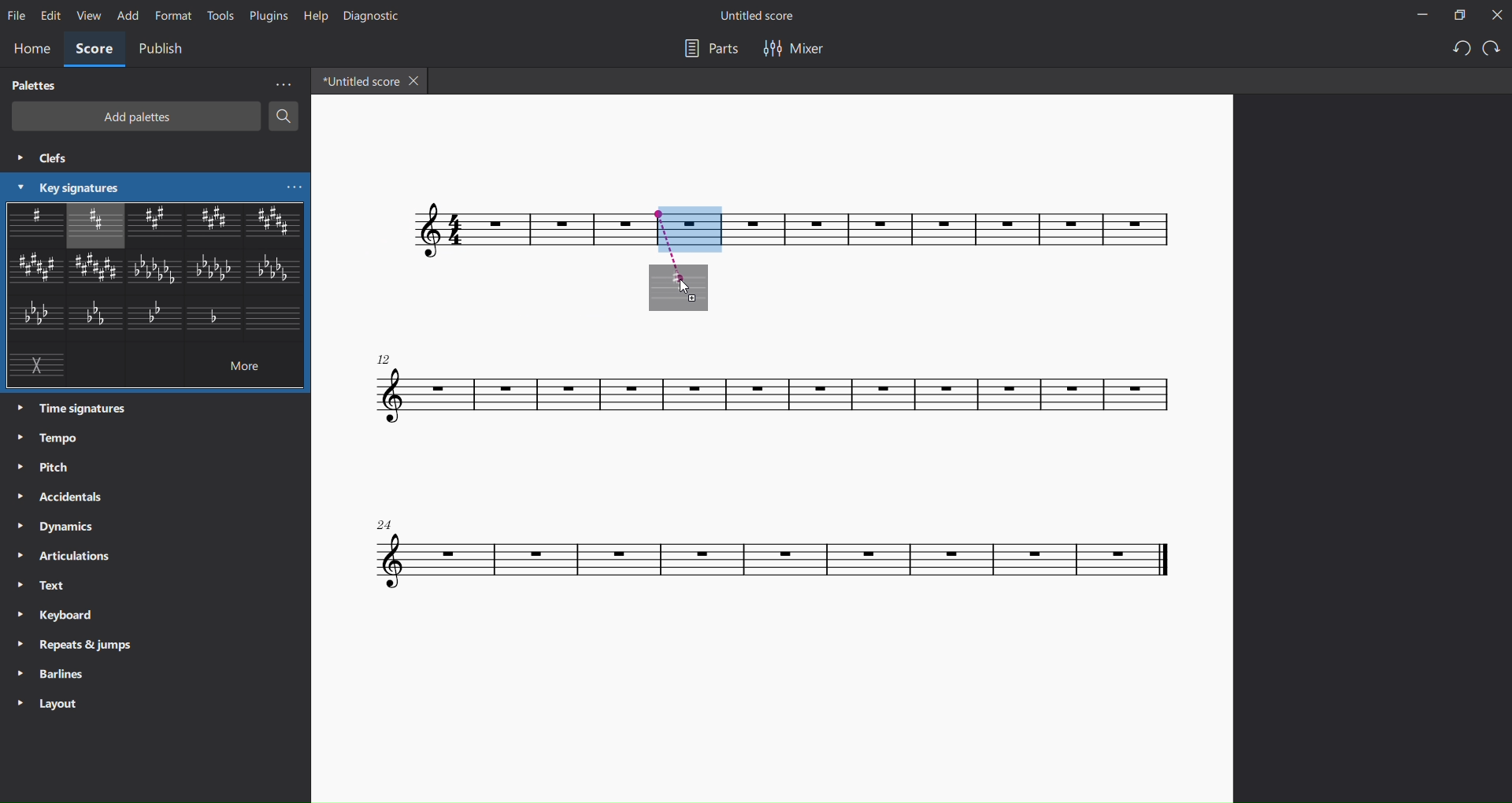  I want to click on accidentals, so click(65, 497).